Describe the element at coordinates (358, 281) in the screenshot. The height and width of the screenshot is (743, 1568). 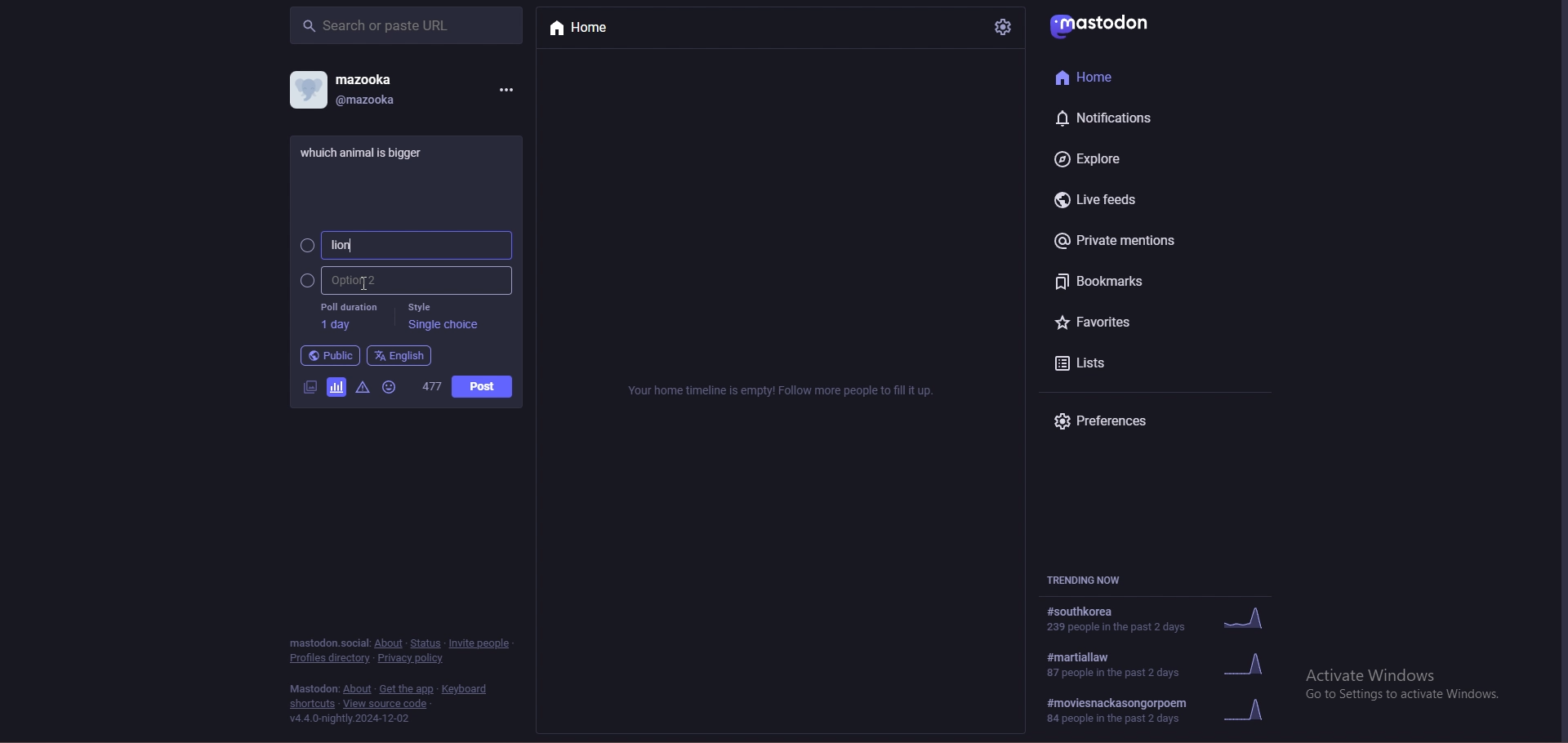
I see `Cursor` at that location.